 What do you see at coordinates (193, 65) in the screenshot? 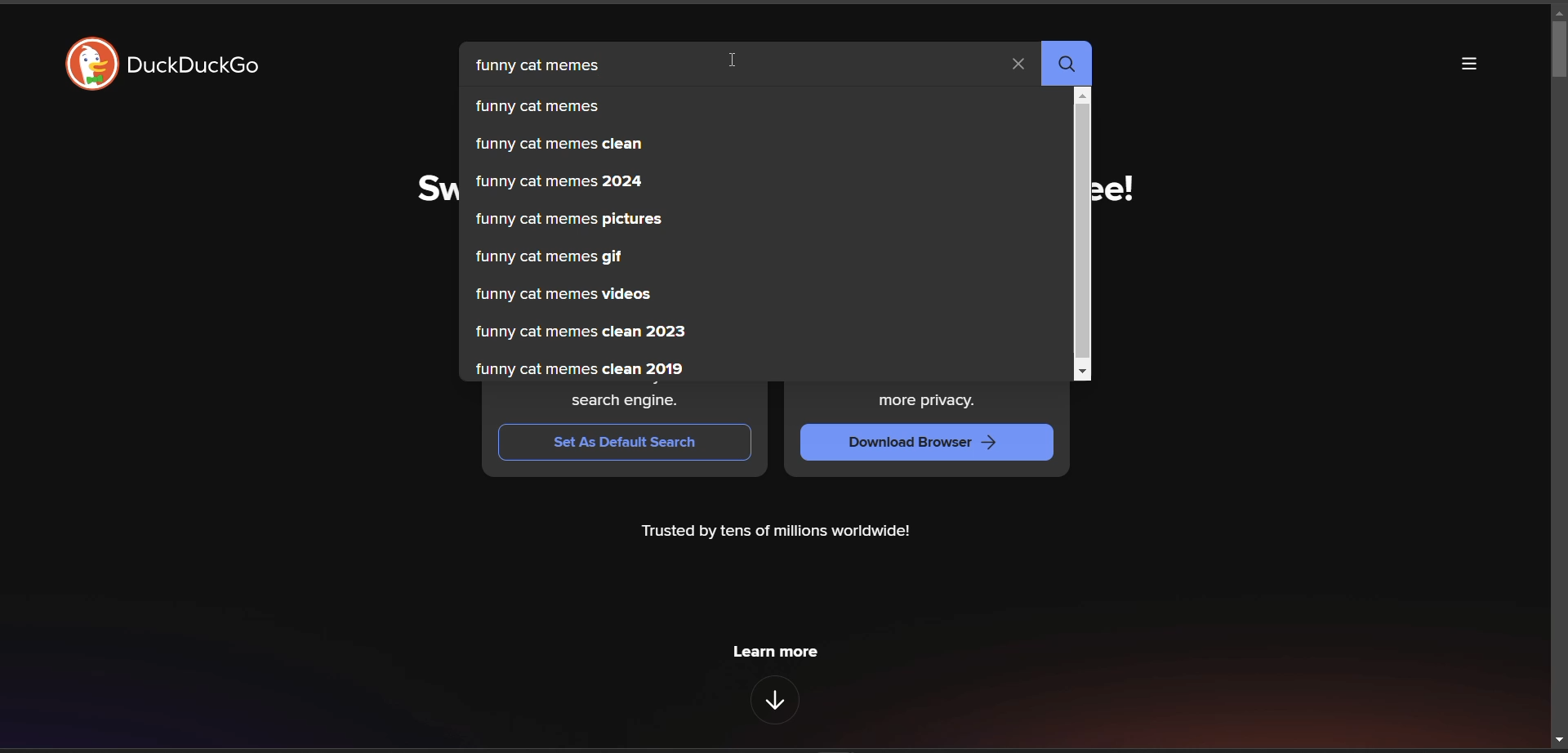
I see `DuckDuckGo` at bounding box center [193, 65].